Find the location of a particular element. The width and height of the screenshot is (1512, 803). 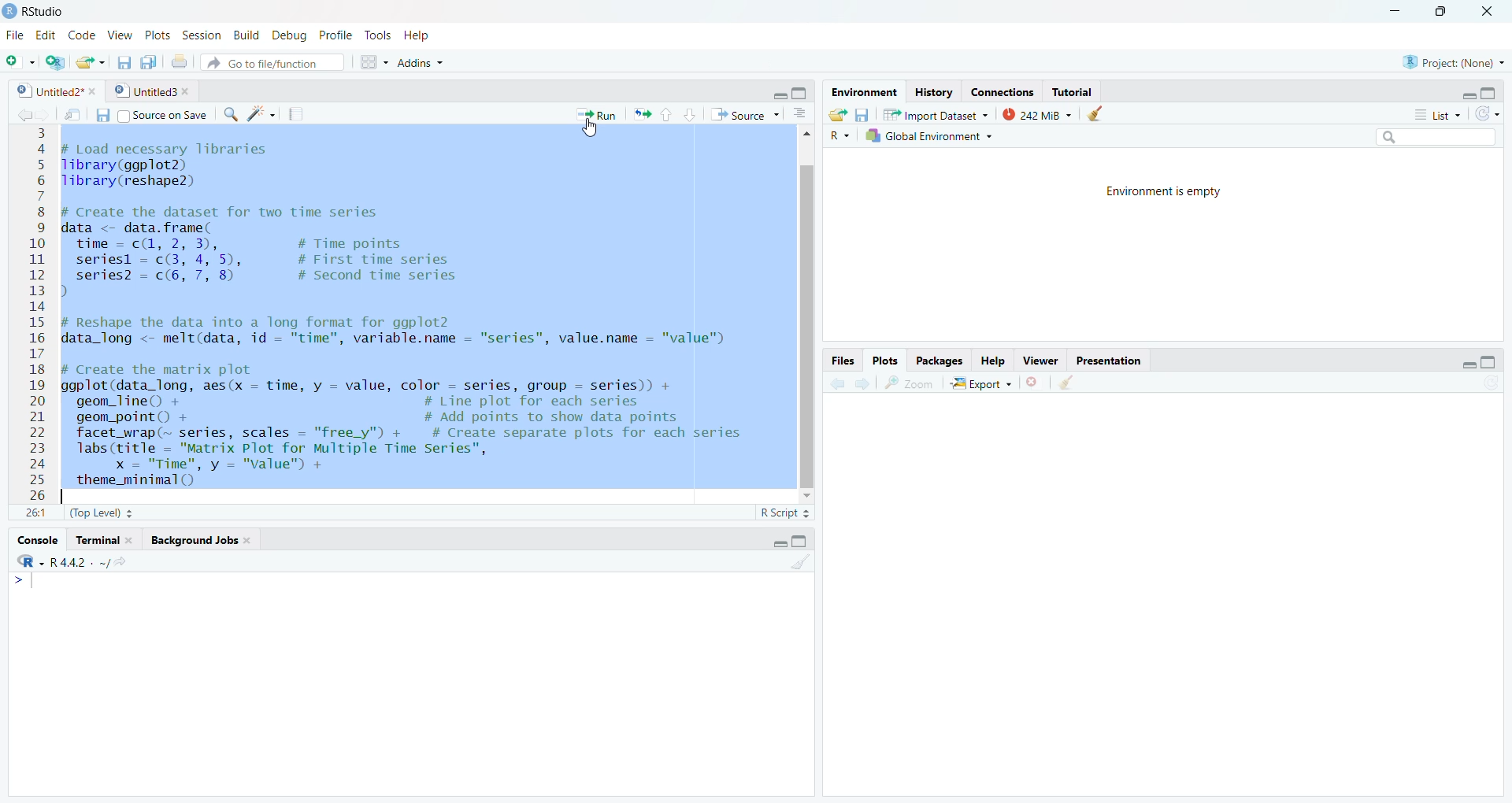

A Go to file/function is located at coordinates (272, 61).